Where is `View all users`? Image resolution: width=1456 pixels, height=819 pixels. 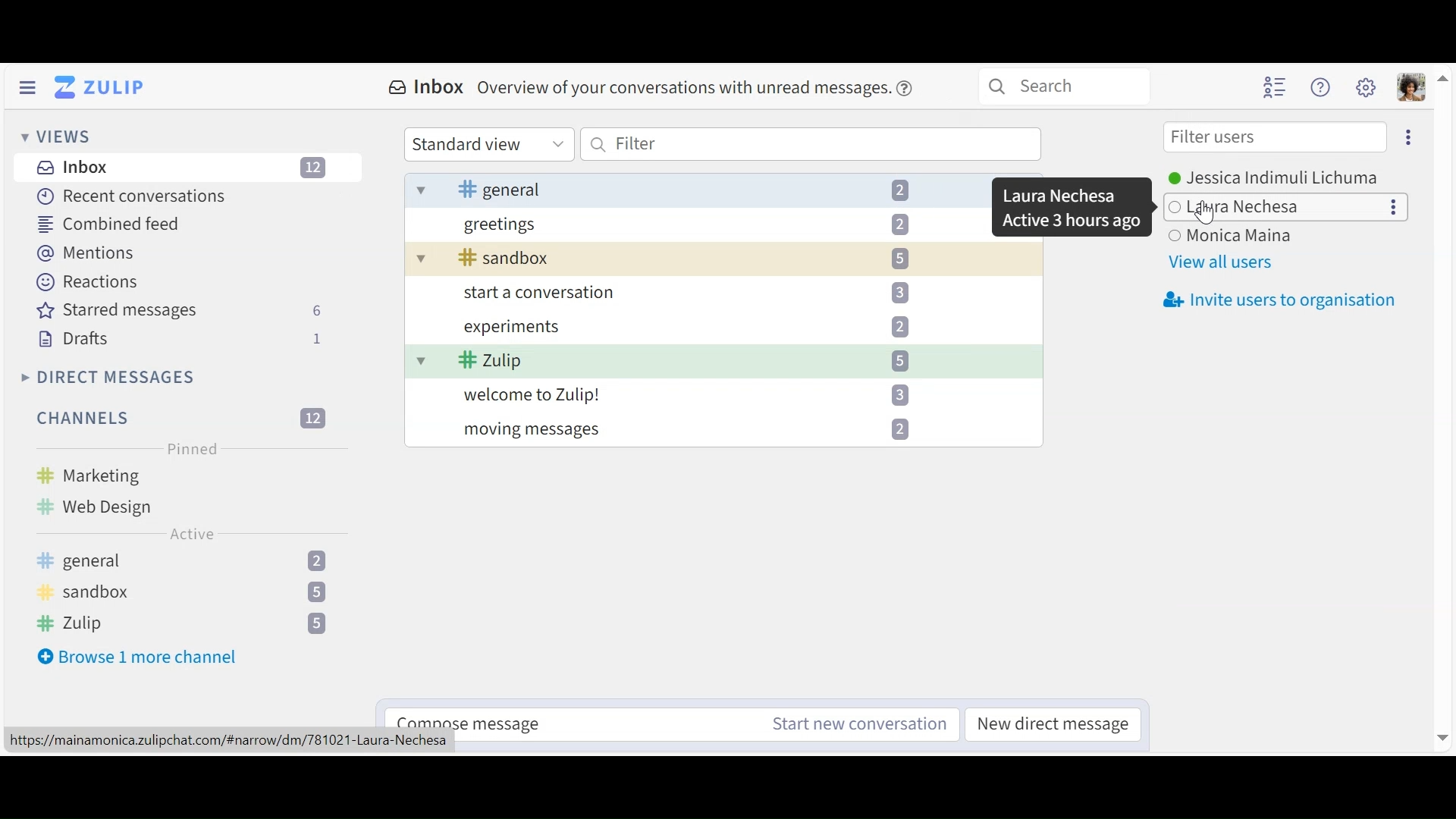
View all users is located at coordinates (1221, 263).